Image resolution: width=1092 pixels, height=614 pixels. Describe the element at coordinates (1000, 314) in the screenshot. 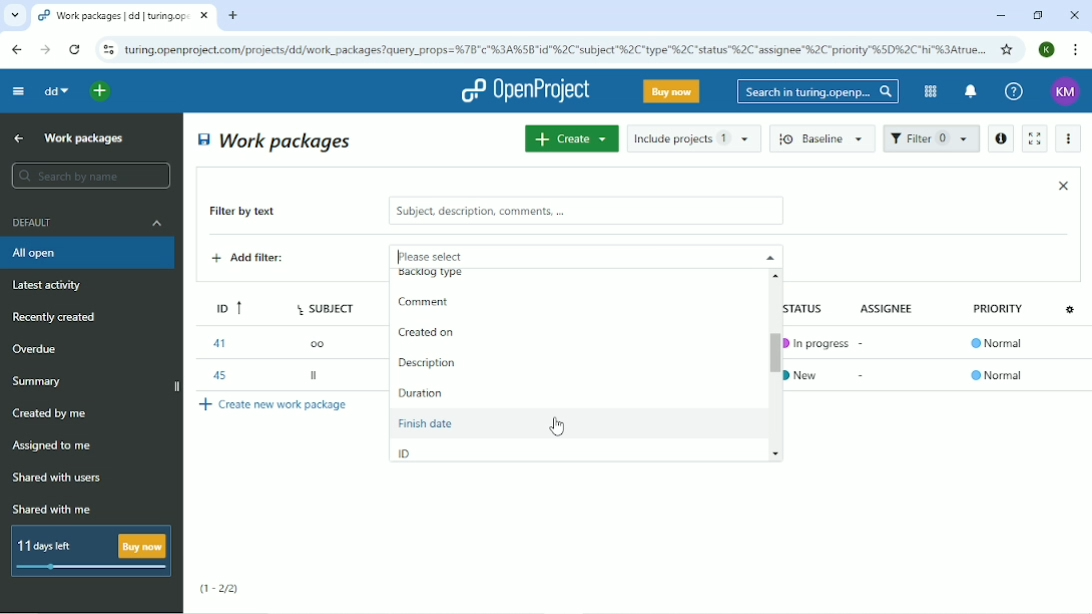

I see `Priority` at that location.